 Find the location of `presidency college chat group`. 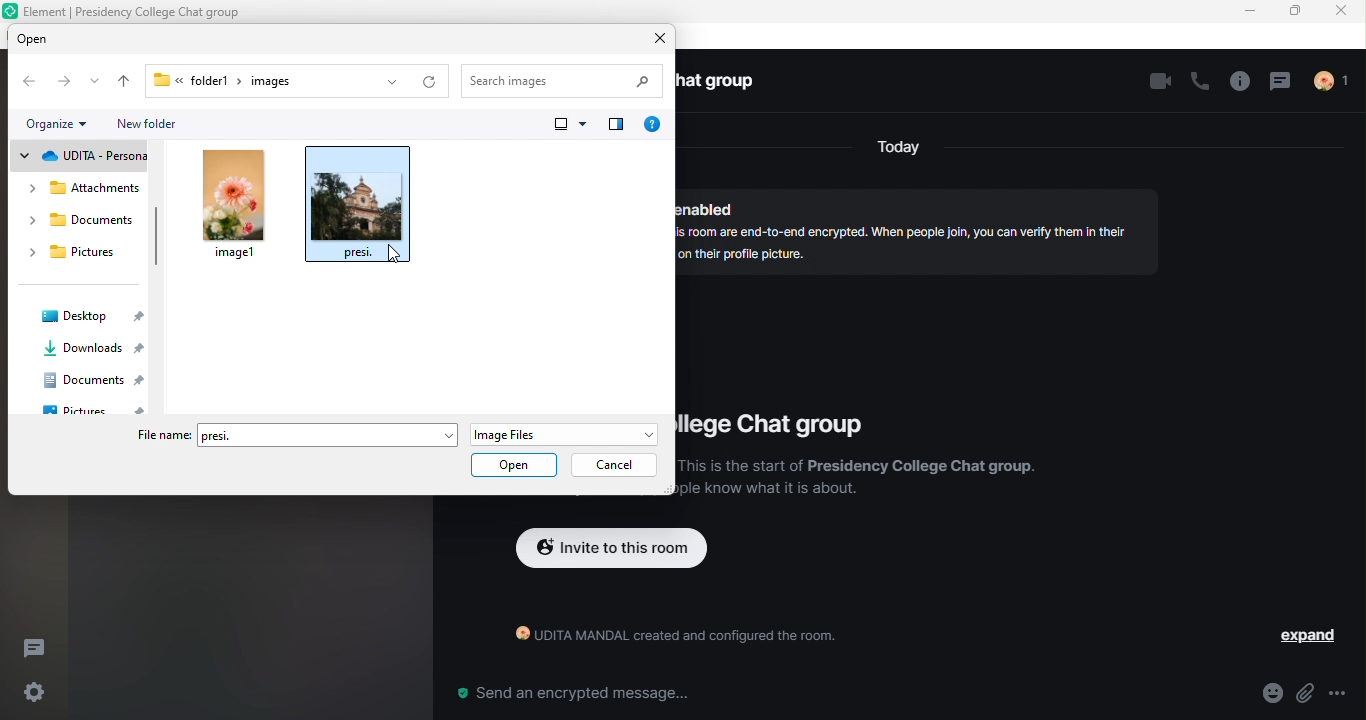

presidency college chat group is located at coordinates (775, 422).